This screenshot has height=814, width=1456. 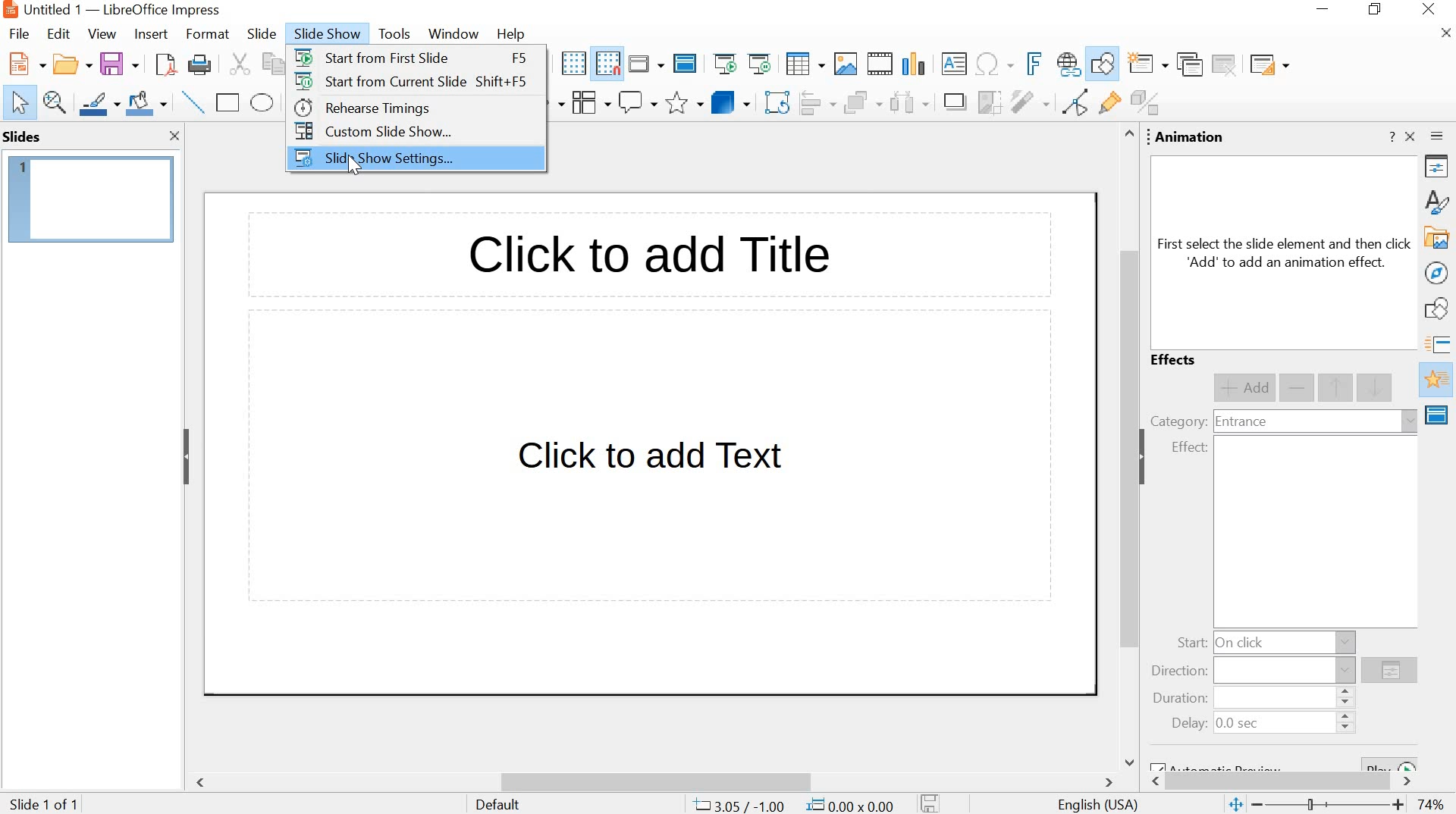 I want to click on cut, so click(x=238, y=65).